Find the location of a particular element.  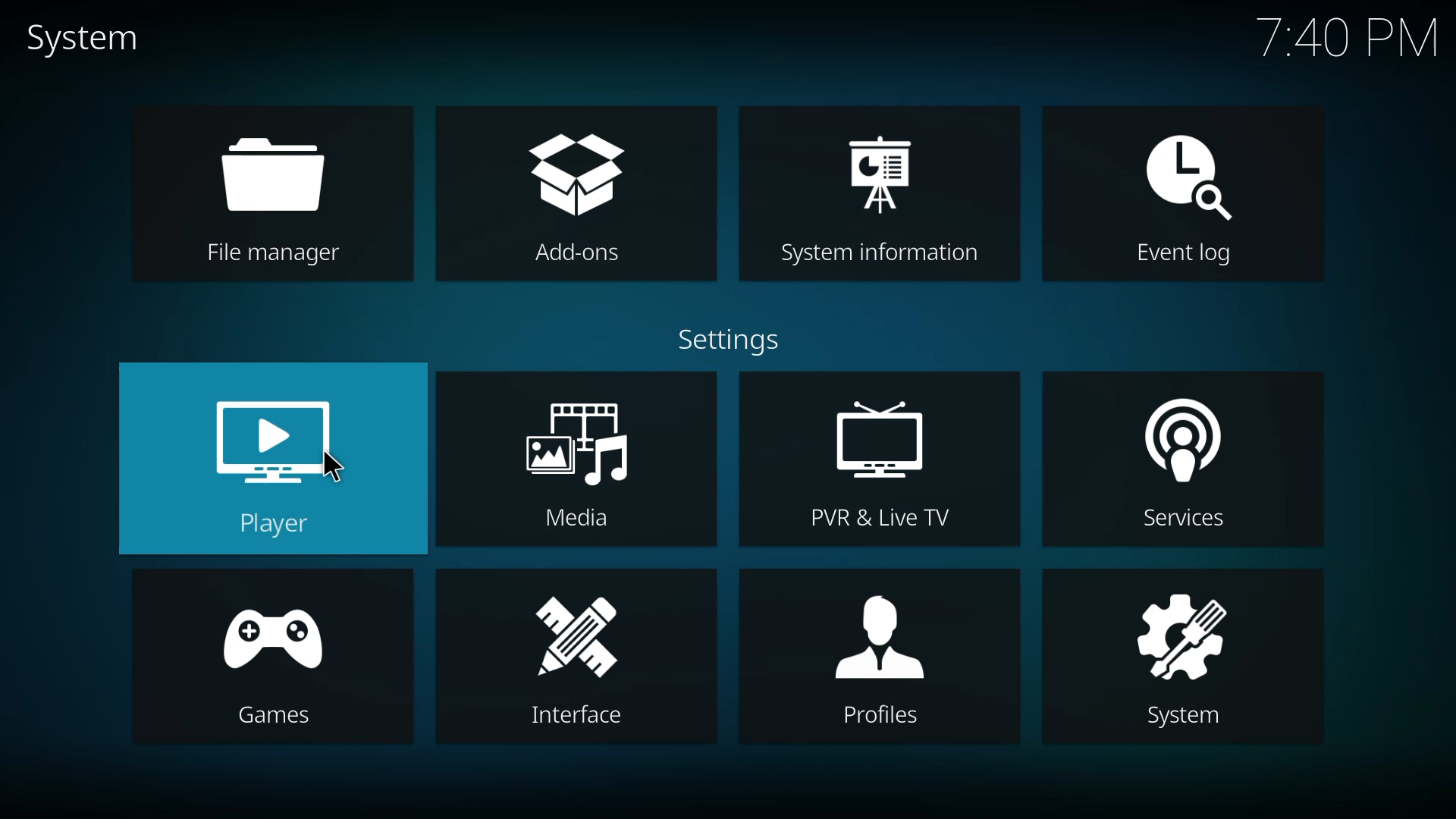

file manager is located at coordinates (274, 202).